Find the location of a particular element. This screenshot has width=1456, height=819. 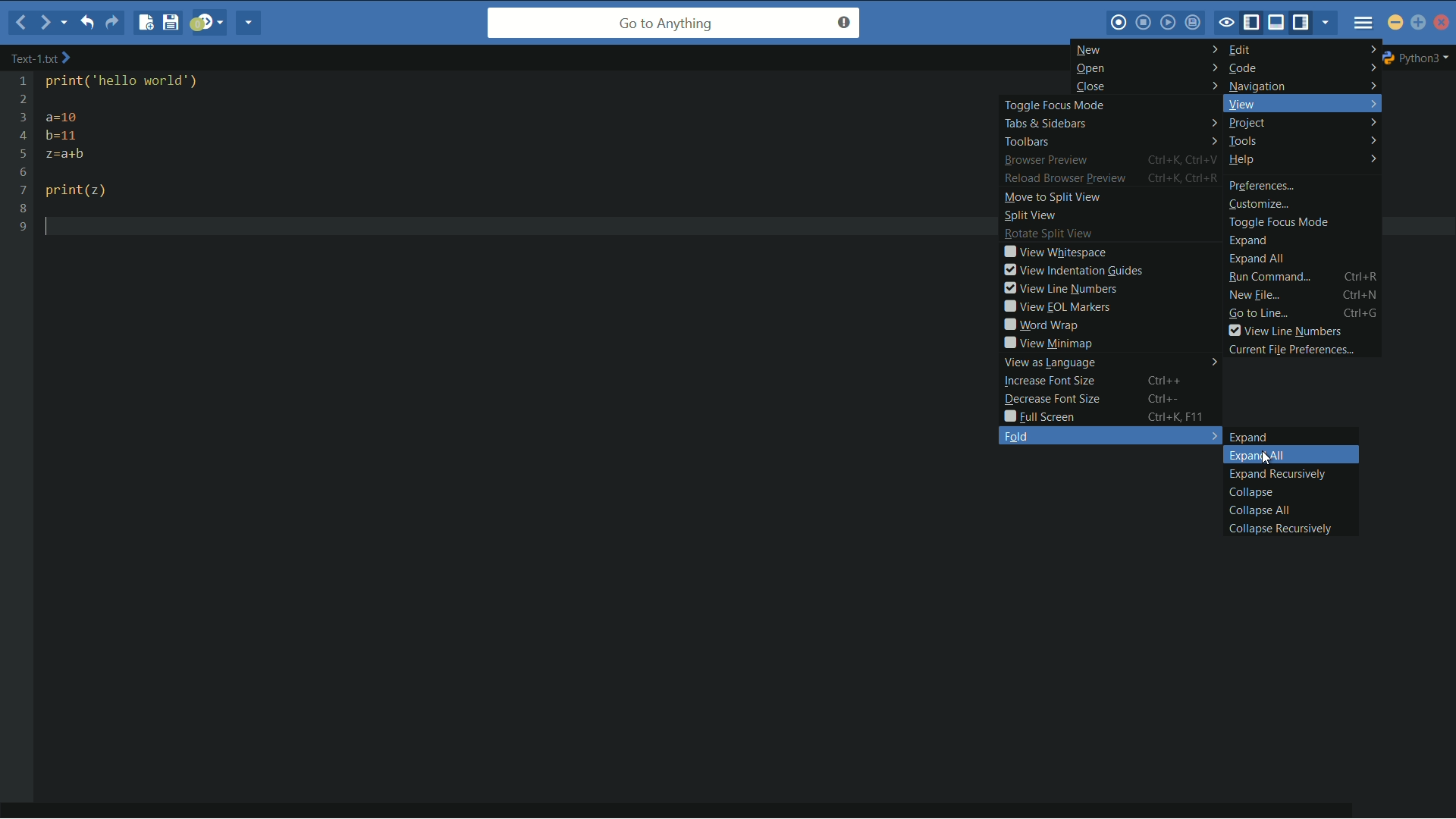

toggle focus mode is located at coordinates (1056, 106).